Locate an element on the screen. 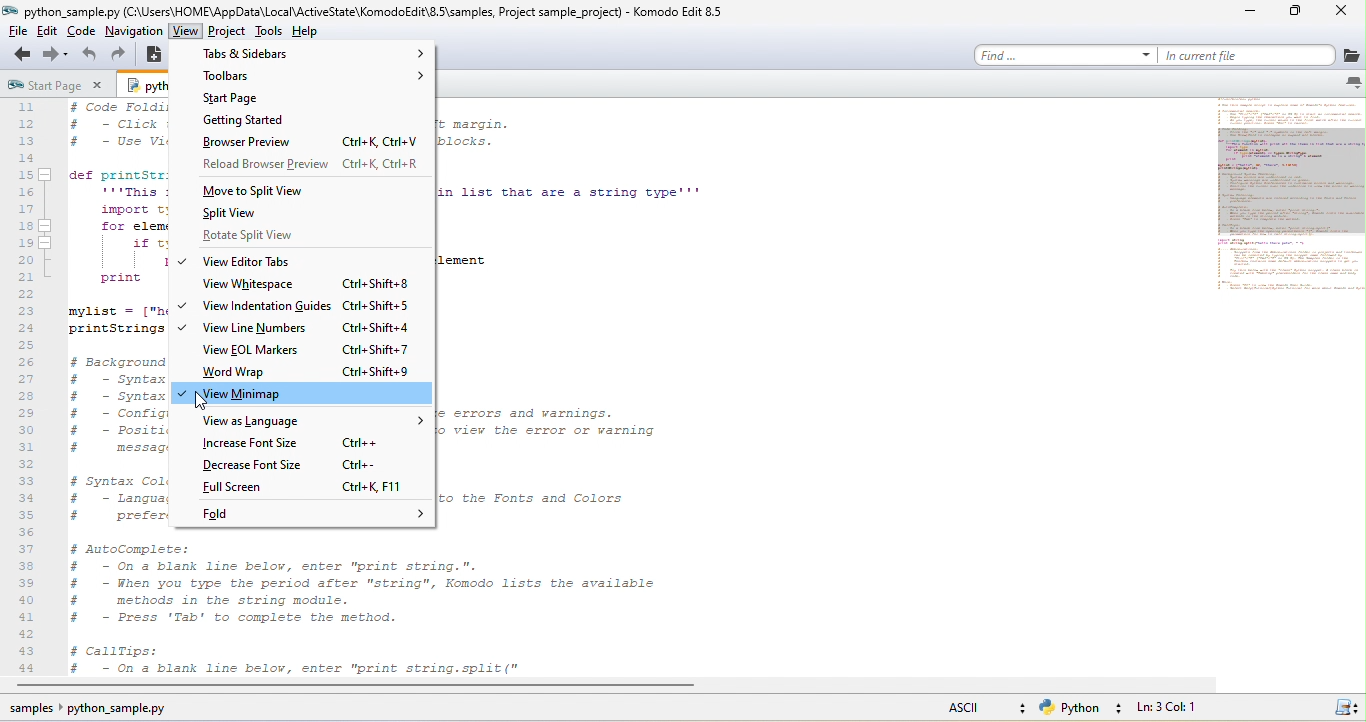 The image size is (1366, 722). view line numbers is located at coordinates (303, 329).